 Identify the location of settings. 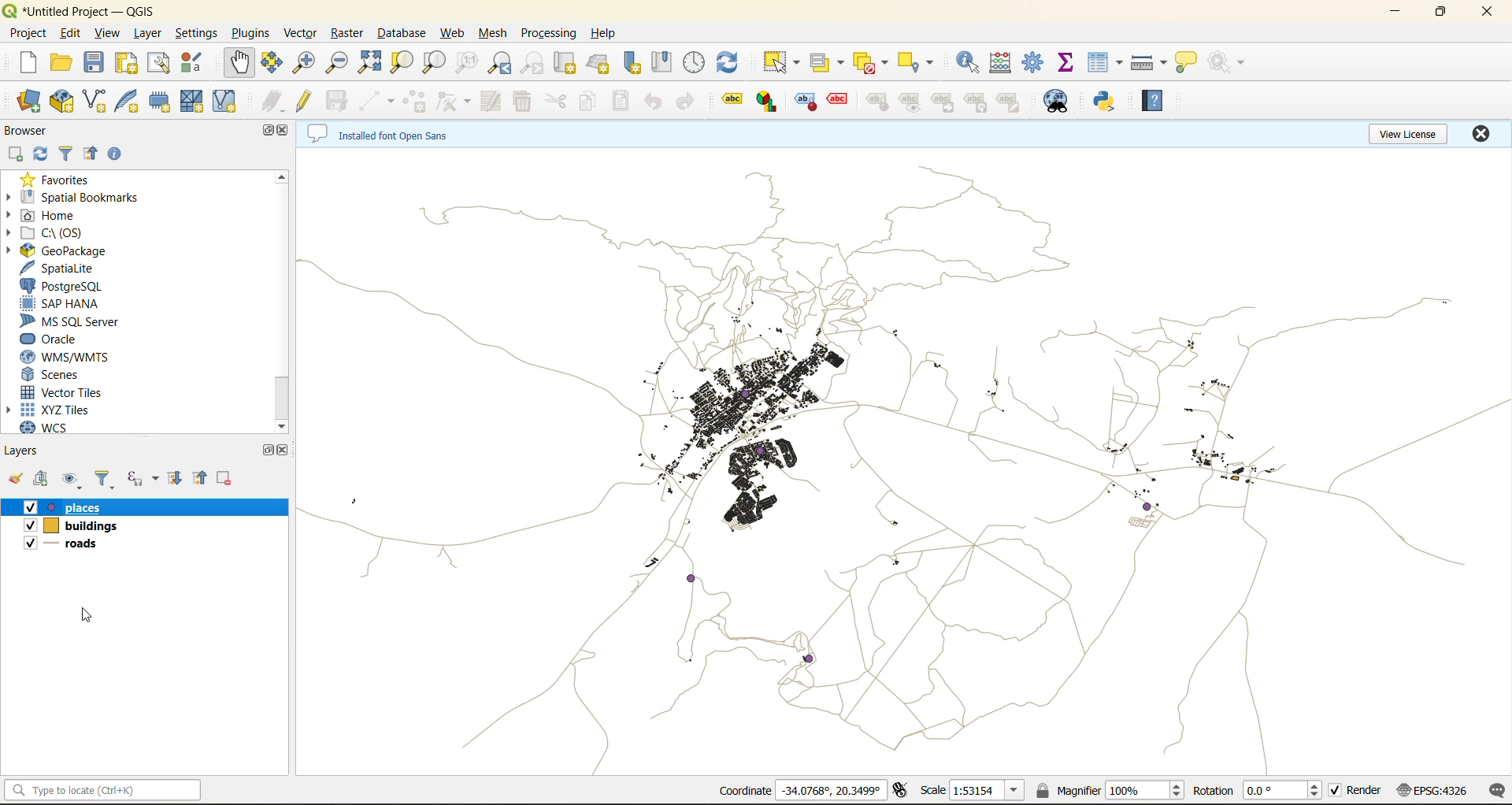
(196, 35).